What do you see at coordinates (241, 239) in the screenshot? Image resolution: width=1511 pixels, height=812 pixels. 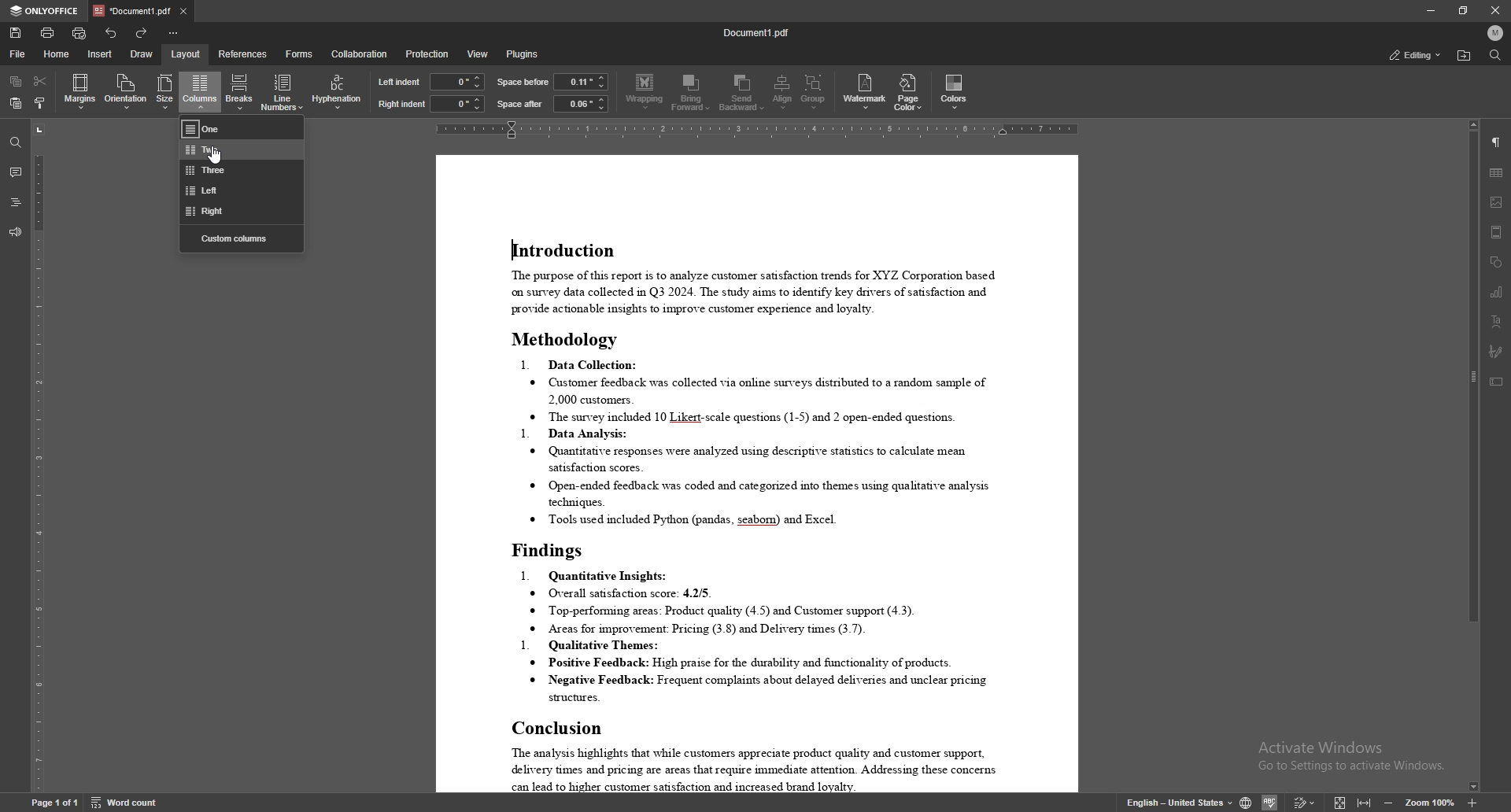 I see `custom columns` at bounding box center [241, 239].